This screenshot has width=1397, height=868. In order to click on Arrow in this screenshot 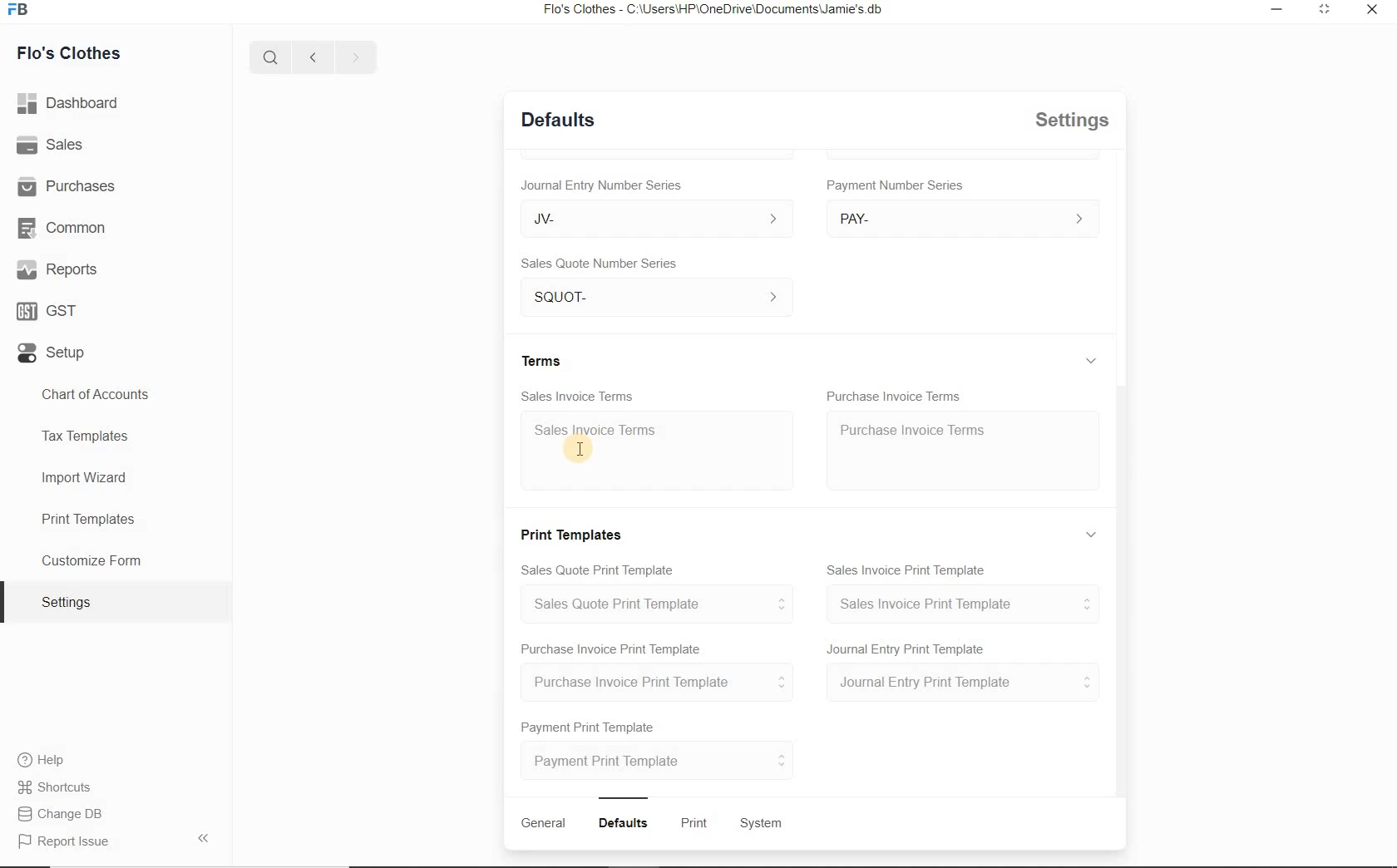, I will do `click(207, 836)`.